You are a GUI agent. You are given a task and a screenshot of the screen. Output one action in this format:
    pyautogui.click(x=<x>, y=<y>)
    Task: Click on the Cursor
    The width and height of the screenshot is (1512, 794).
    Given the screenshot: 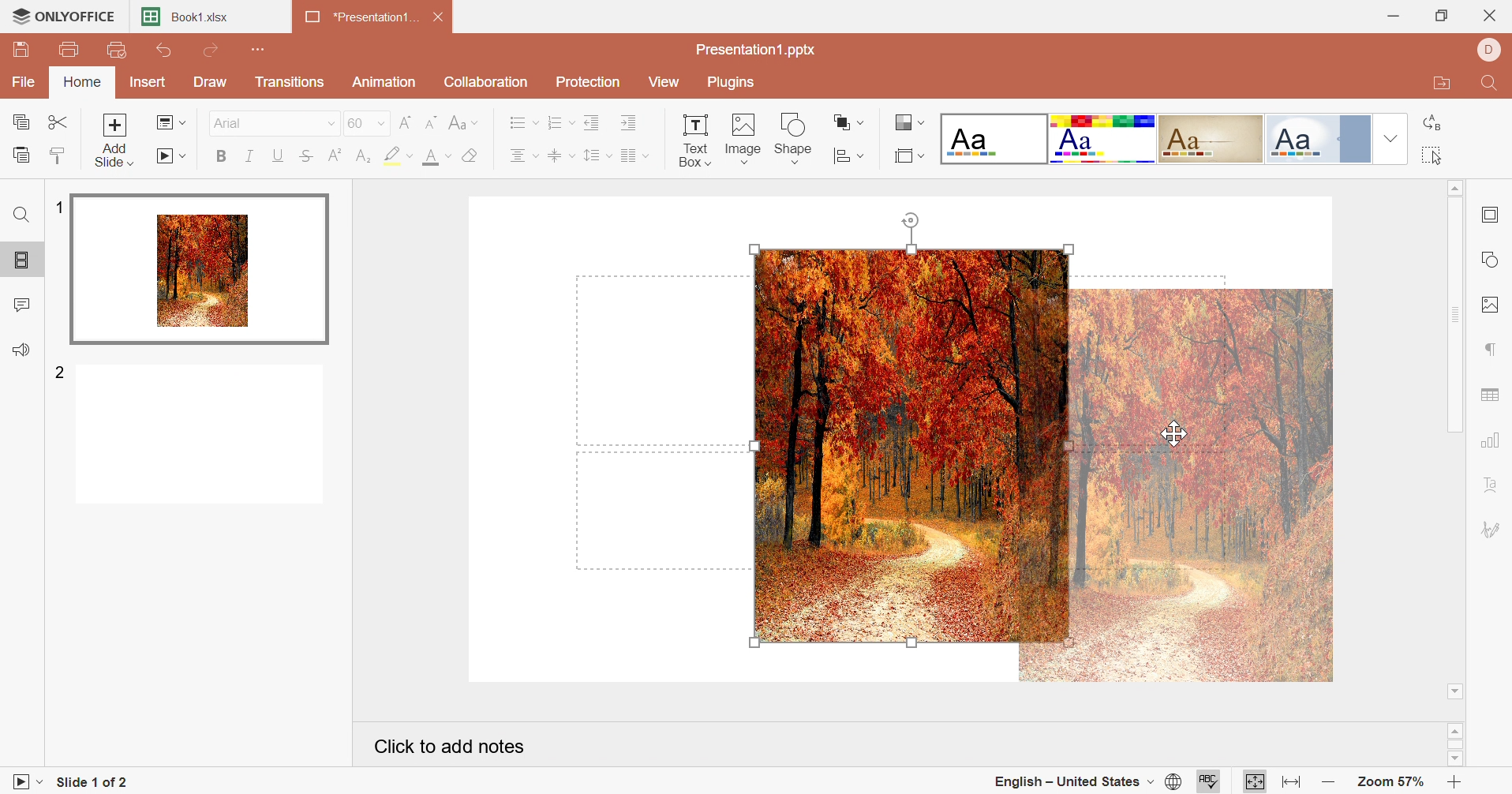 What is the action you would take?
    pyautogui.click(x=1179, y=431)
    